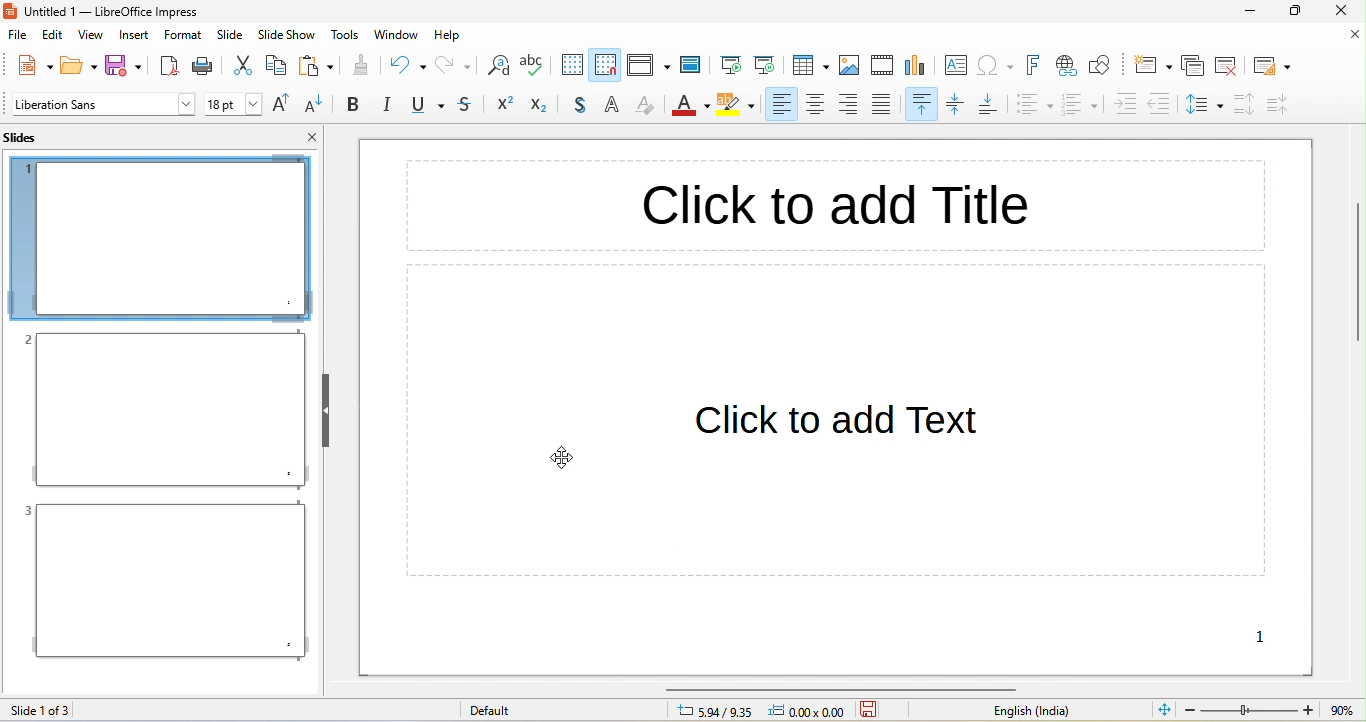  What do you see at coordinates (29, 64) in the screenshot?
I see `new` at bounding box center [29, 64].